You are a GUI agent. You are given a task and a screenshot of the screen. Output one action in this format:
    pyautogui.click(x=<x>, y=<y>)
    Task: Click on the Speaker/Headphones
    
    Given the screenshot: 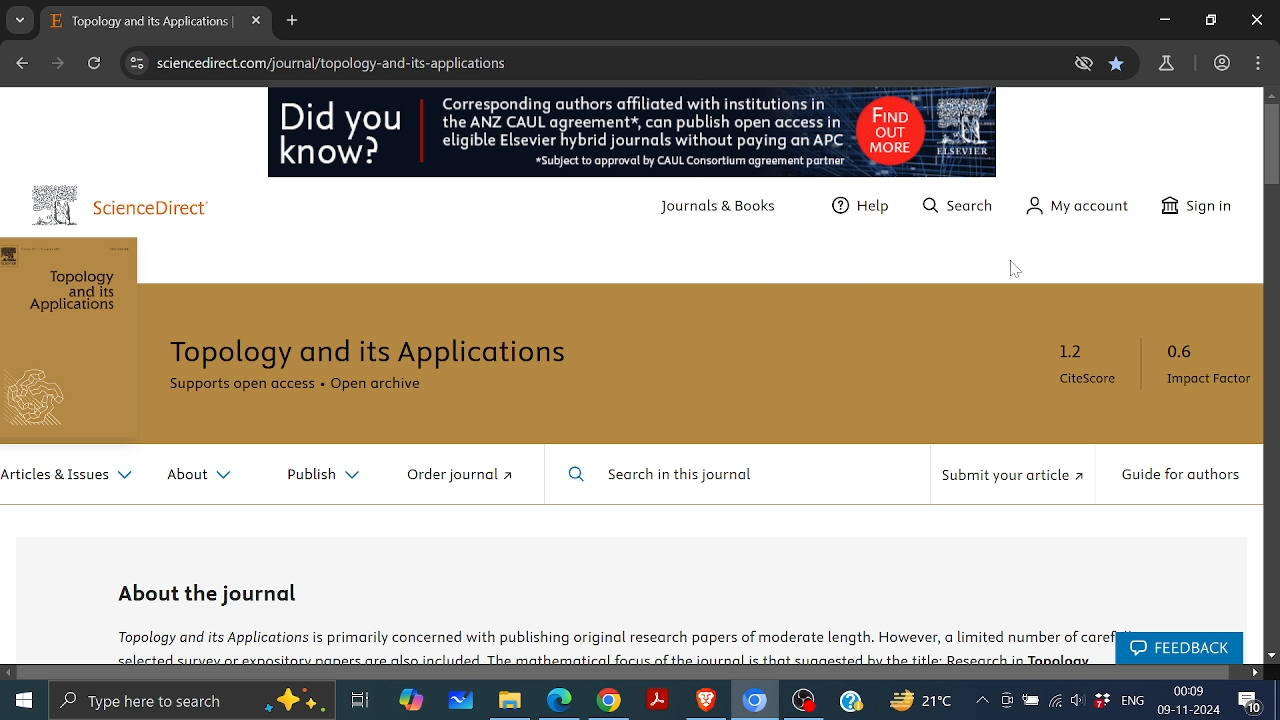 What is the action you would take?
    pyautogui.click(x=1078, y=698)
    